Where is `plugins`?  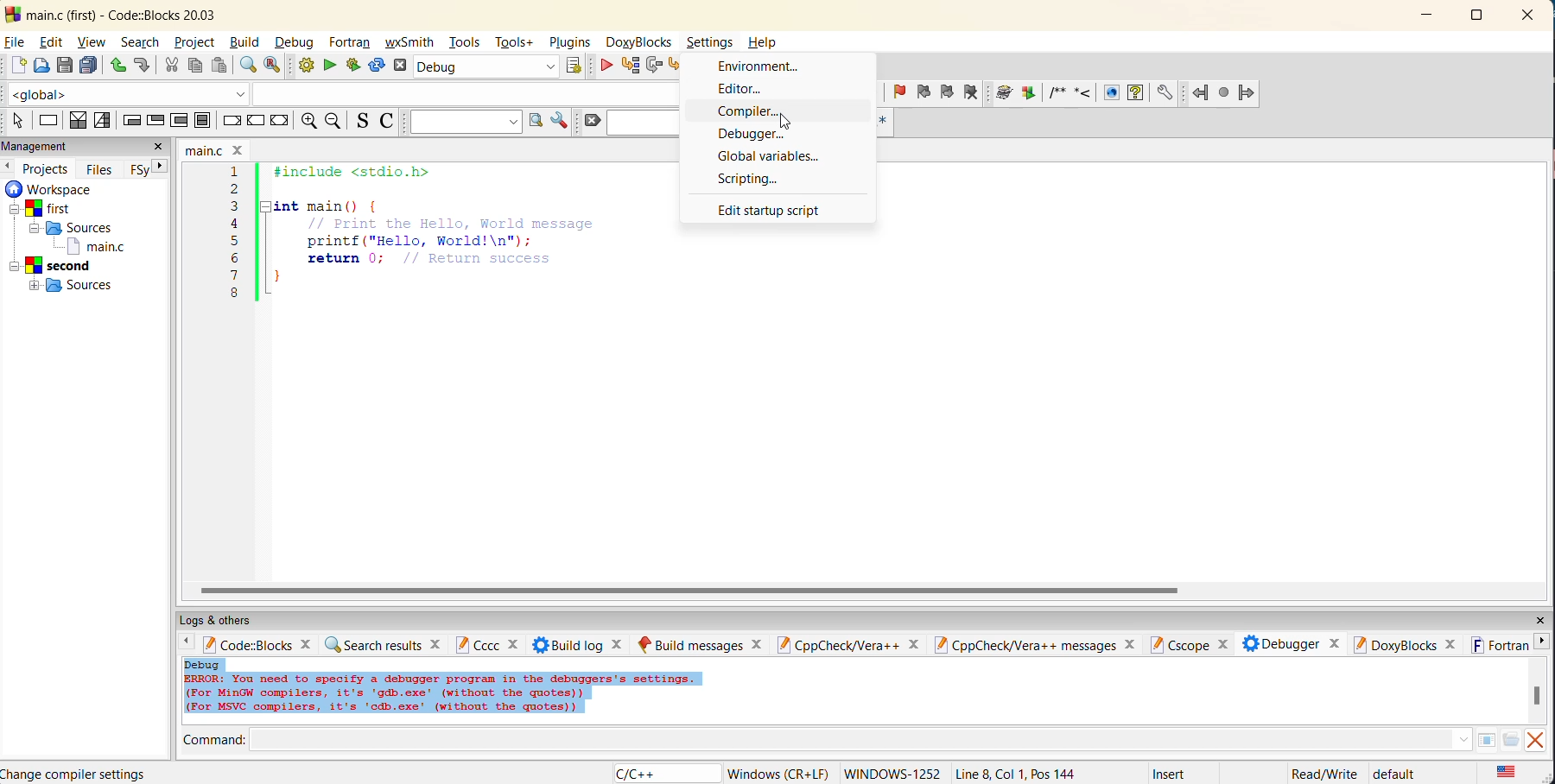 plugins is located at coordinates (574, 42).